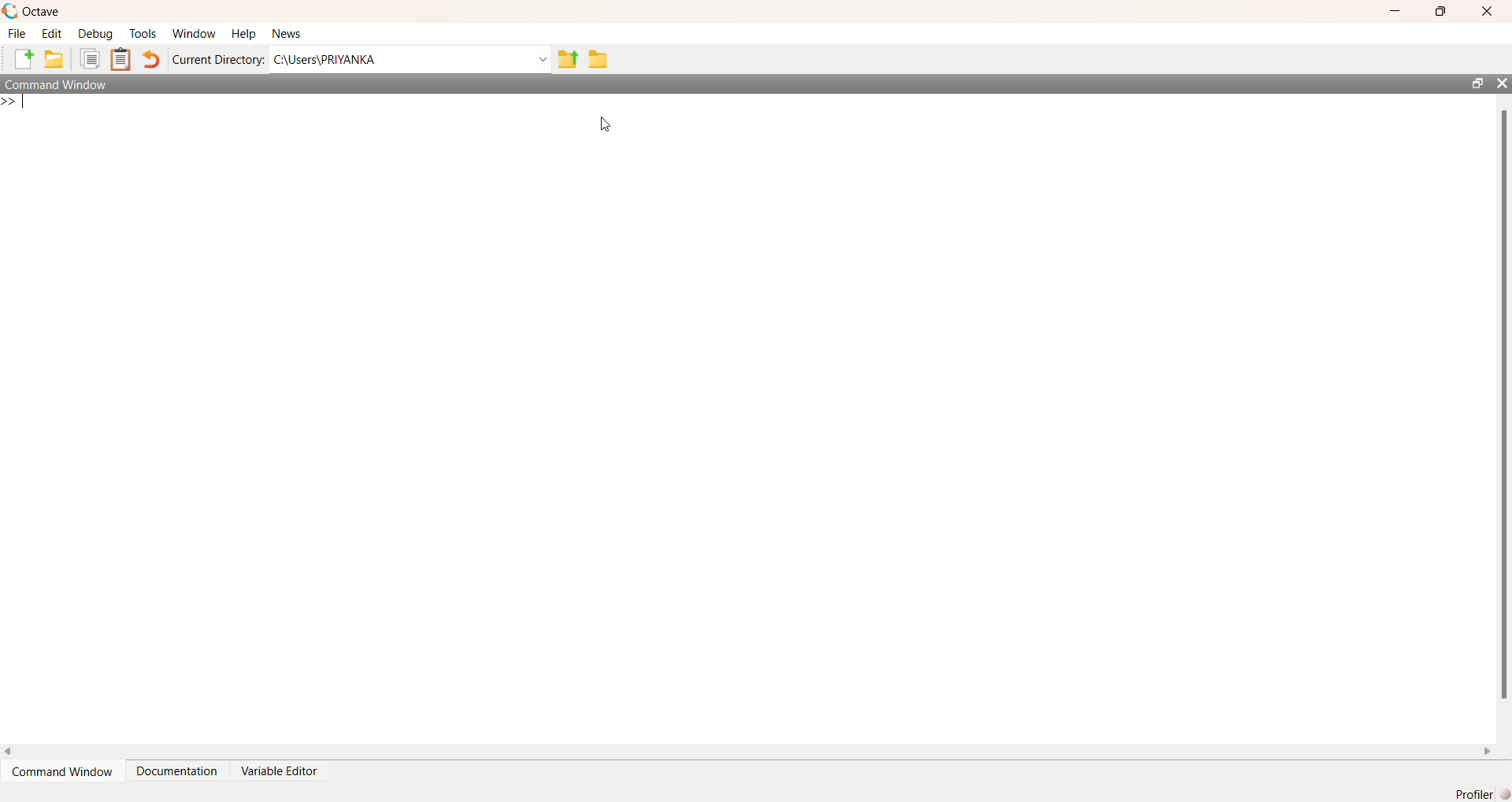  I want to click on Window, so click(196, 34).